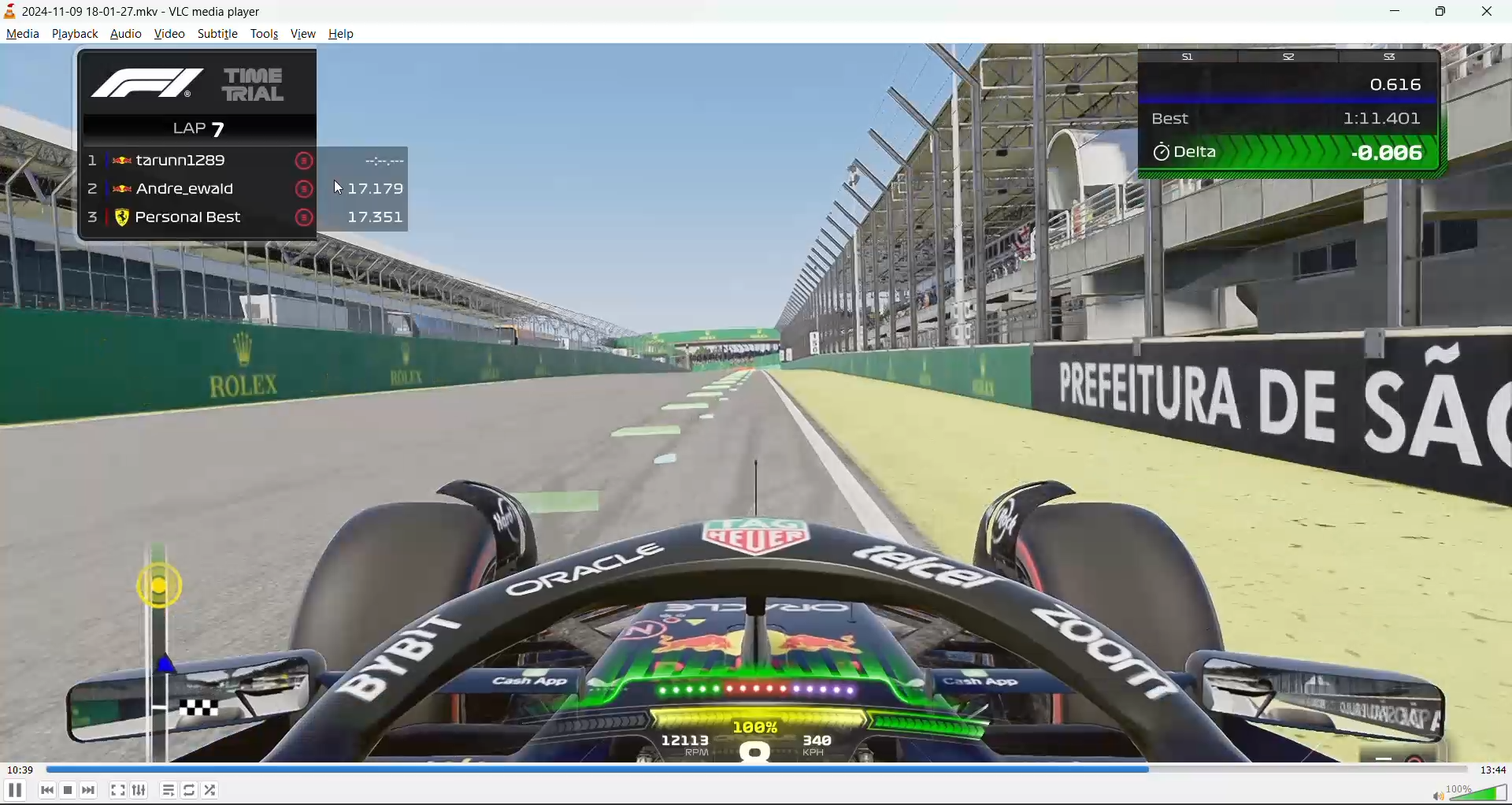  What do you see at coordinates (265, 35) in the screenshot?
I see `tools` at bounding box center [265, 35].